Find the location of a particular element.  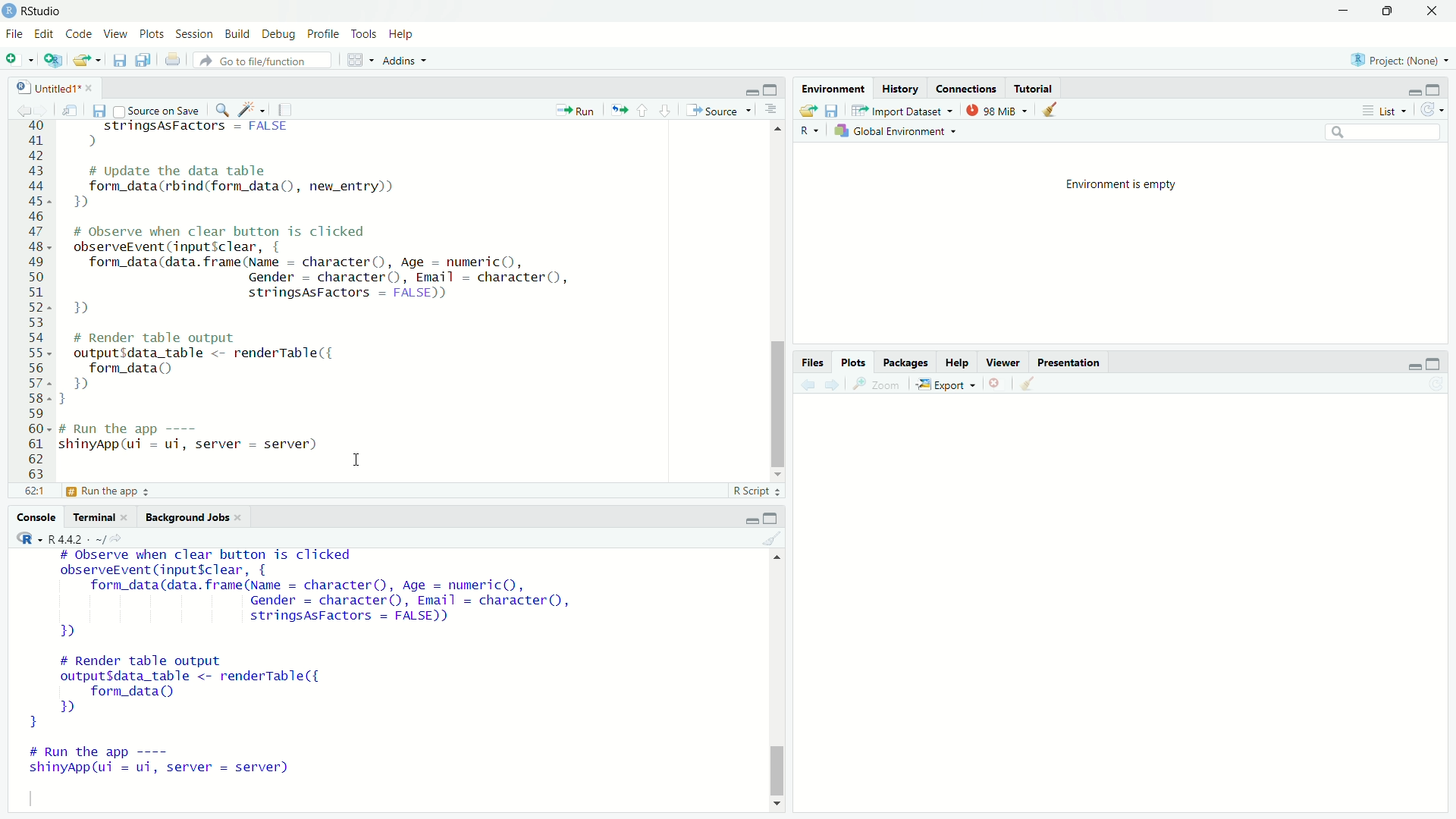

move up is located at coordinates (777, 130).